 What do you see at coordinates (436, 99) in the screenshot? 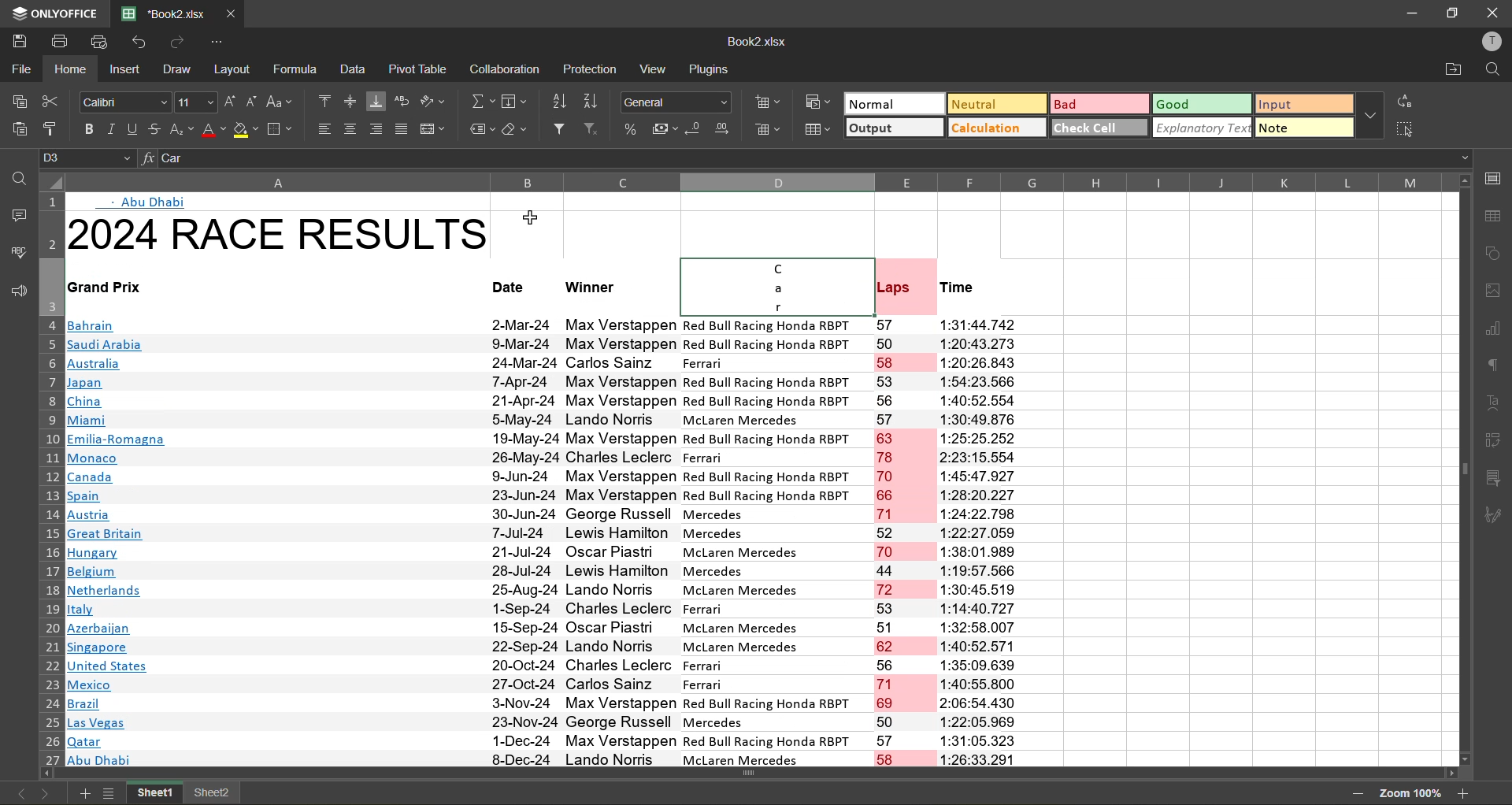
I see `orientation` at bounding box center [436, 99].